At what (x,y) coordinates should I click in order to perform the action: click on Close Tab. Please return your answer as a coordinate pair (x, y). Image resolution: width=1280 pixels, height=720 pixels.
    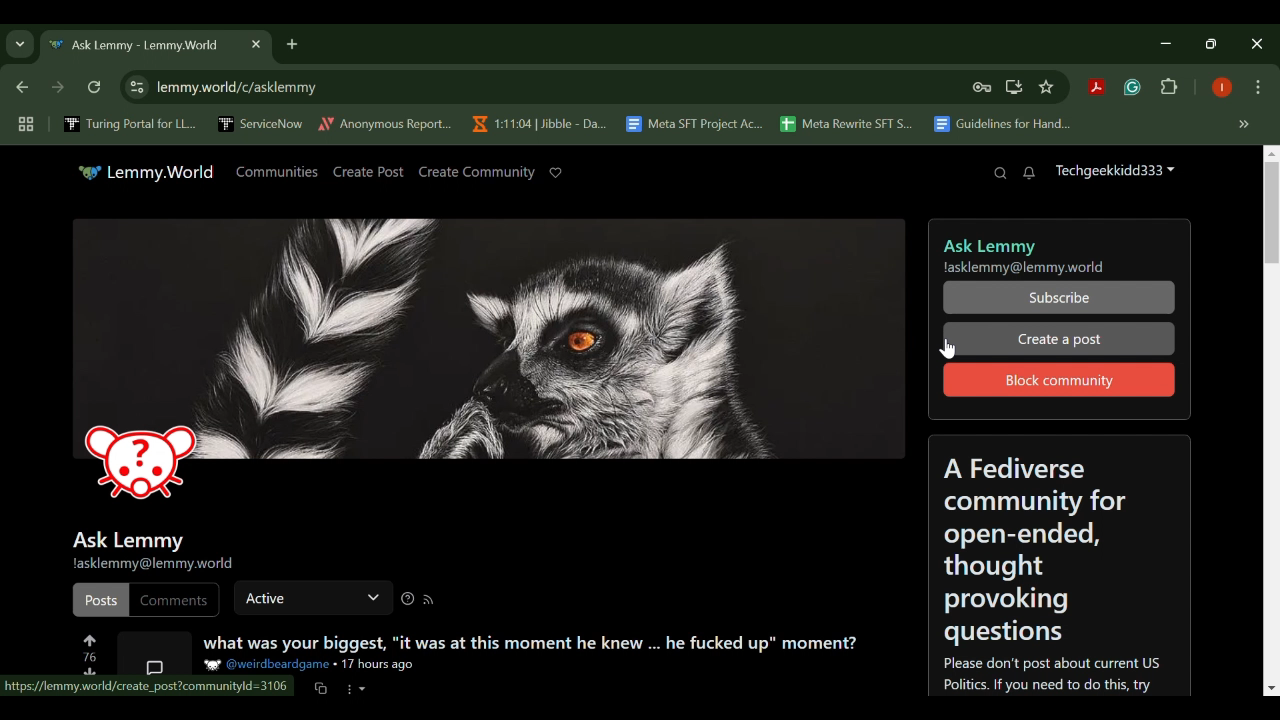
    Looking at the image, I should click on (254, 44).